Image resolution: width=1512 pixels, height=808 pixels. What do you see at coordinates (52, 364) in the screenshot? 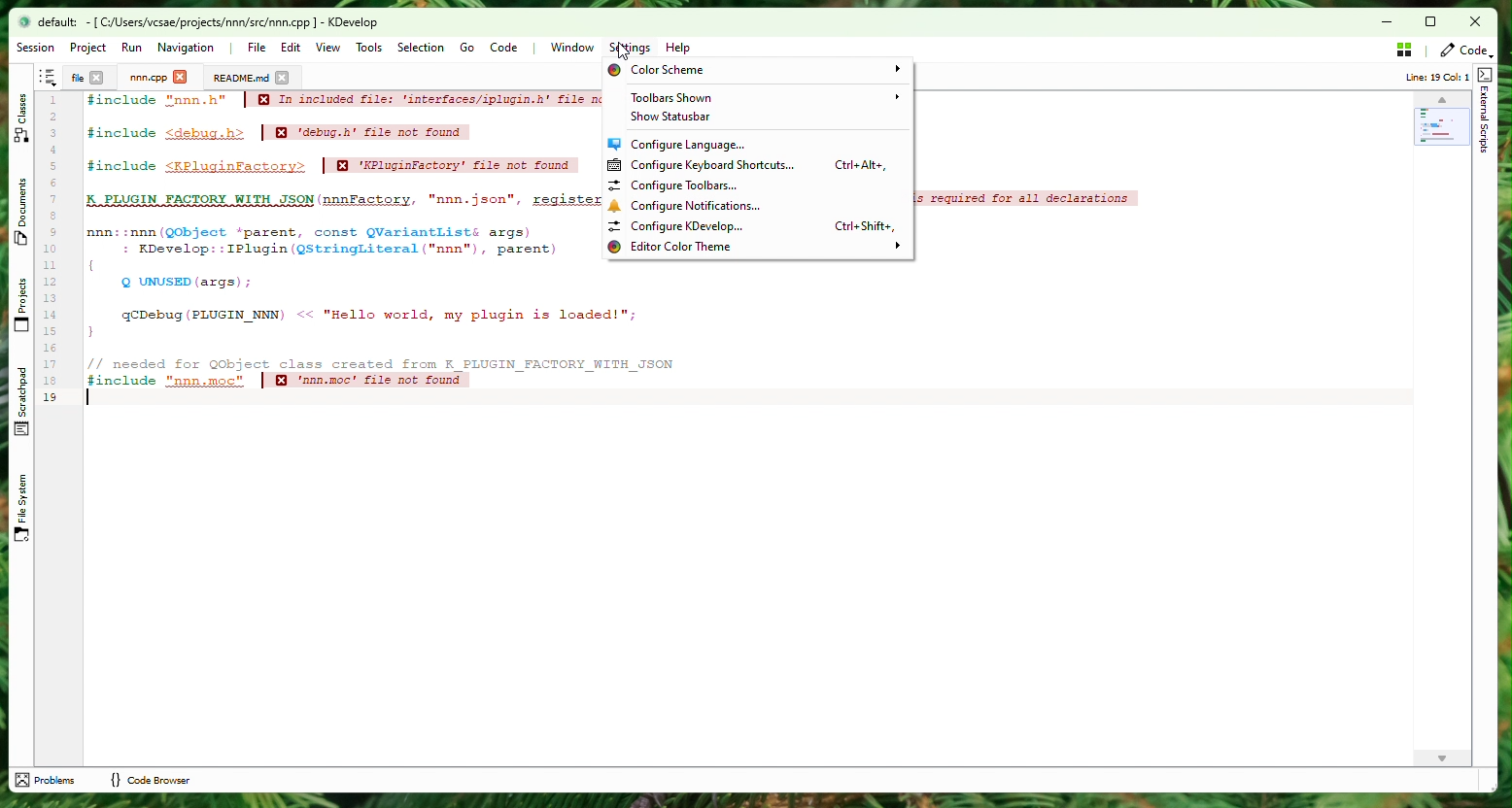
I see `17` at bounding box center [52, 364].